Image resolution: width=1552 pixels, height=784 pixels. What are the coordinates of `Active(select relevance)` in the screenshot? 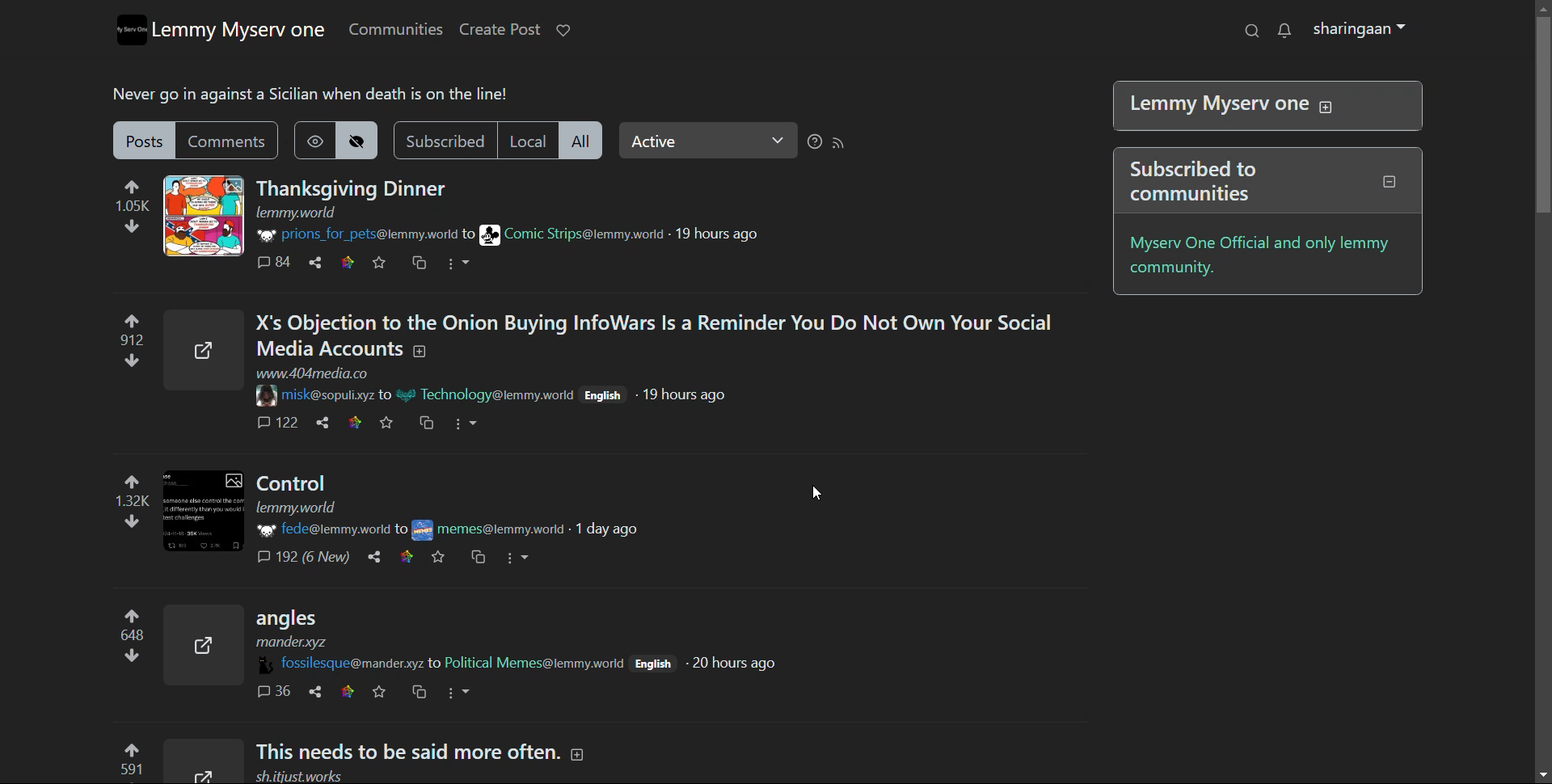 It's located at (709, 141).